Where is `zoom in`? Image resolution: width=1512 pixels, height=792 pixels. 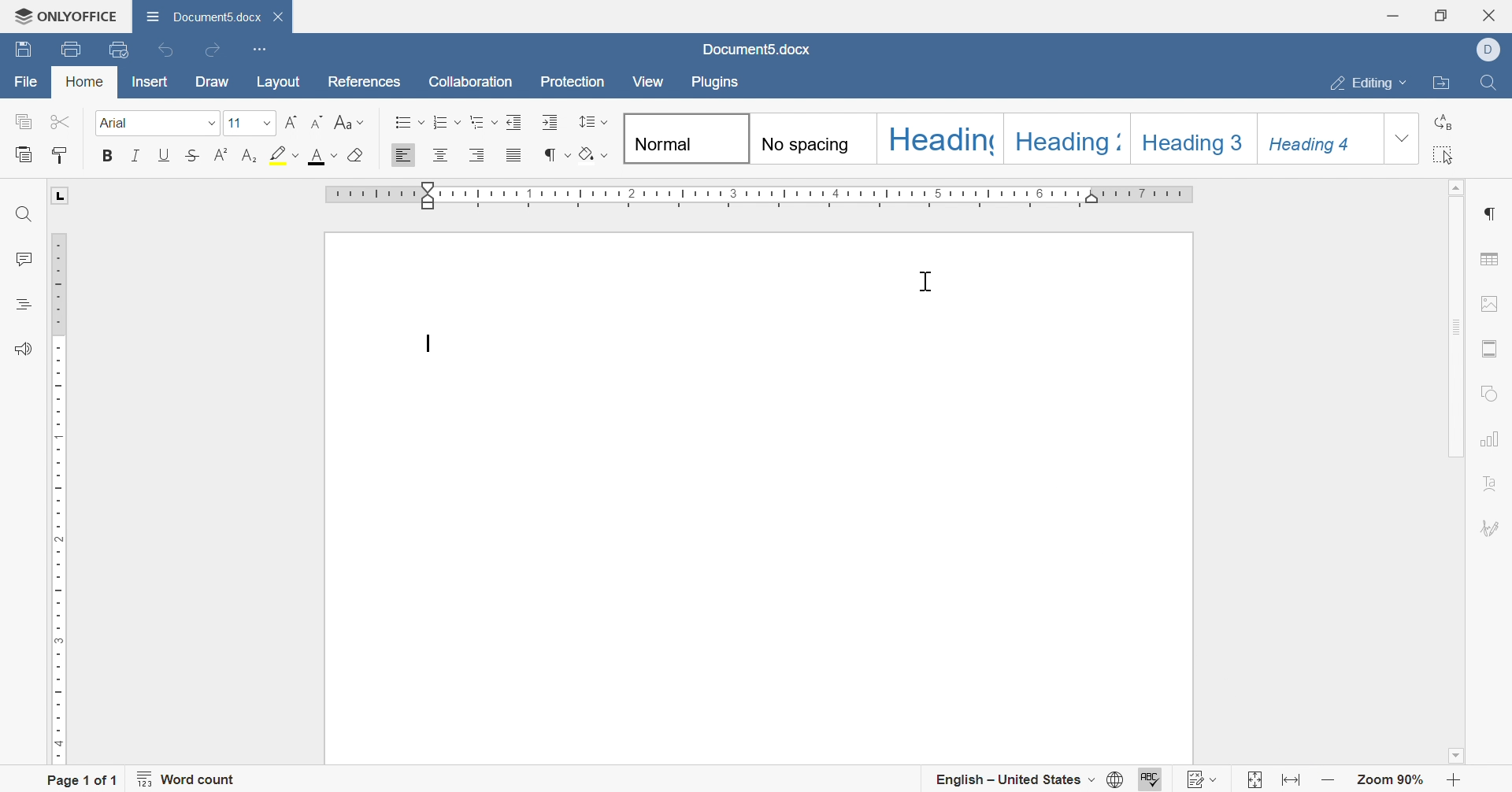
zoom in is located at coordinates (1459, 780).